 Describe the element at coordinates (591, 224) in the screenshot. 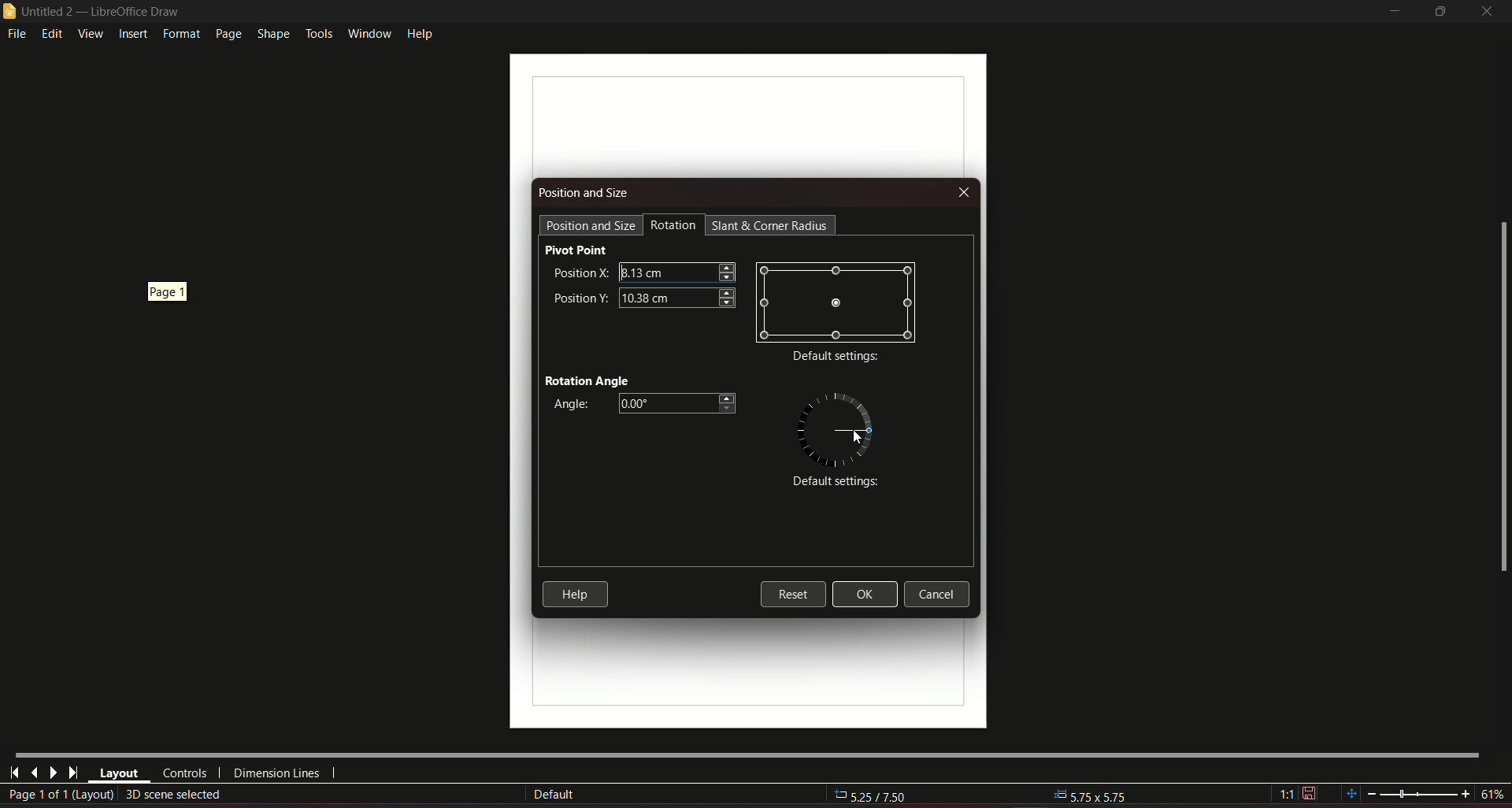

I see `position and size` at that location.